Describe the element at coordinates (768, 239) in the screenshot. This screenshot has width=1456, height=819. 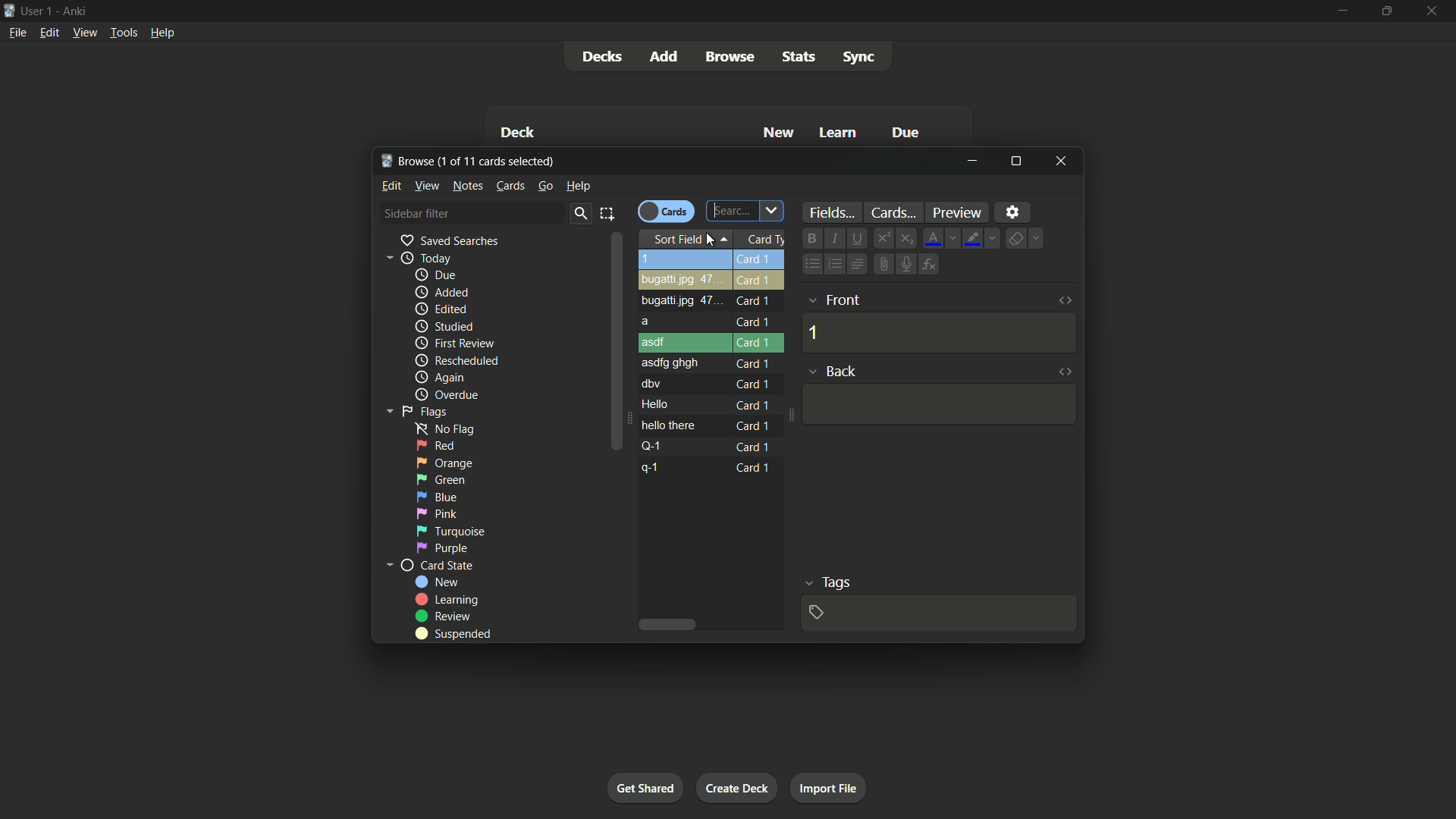
I see `card type` at that location.